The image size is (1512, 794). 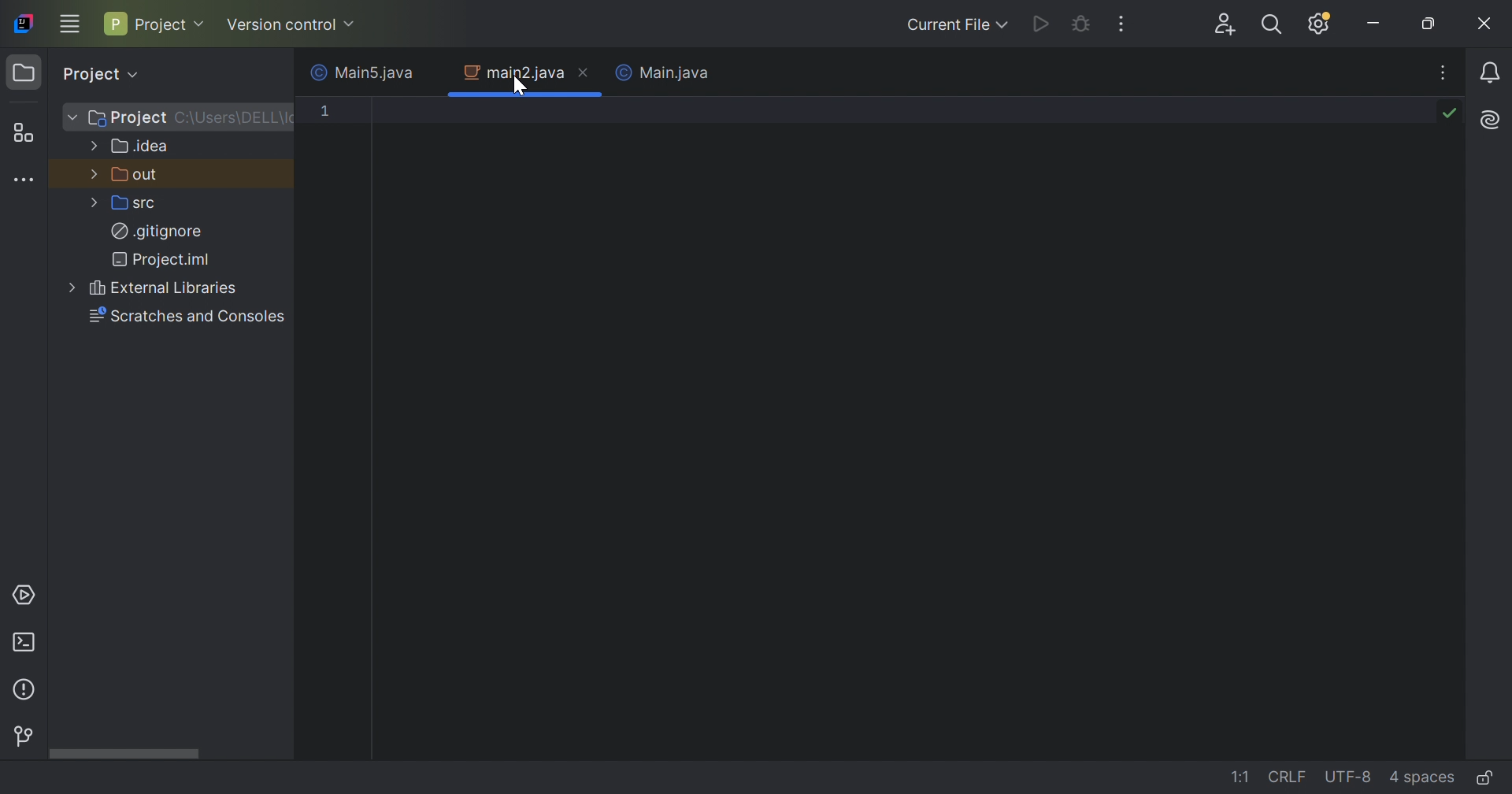 I want to click on Main menu, so click(x=67, y=25).